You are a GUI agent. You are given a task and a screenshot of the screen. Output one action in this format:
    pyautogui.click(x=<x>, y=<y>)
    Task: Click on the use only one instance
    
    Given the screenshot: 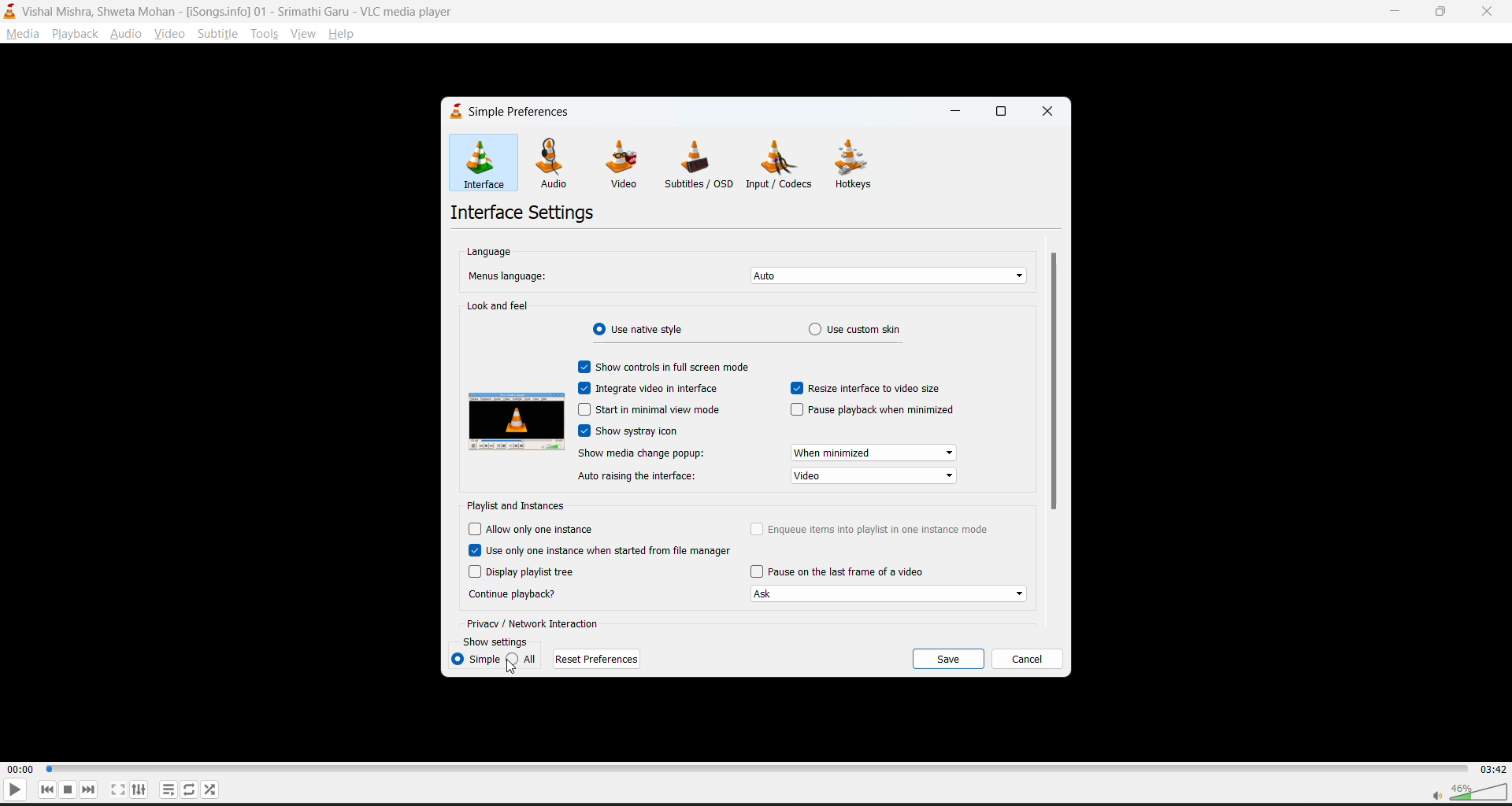 What is the action you would take?
    pyautogui.click(x=601, y=549)
    